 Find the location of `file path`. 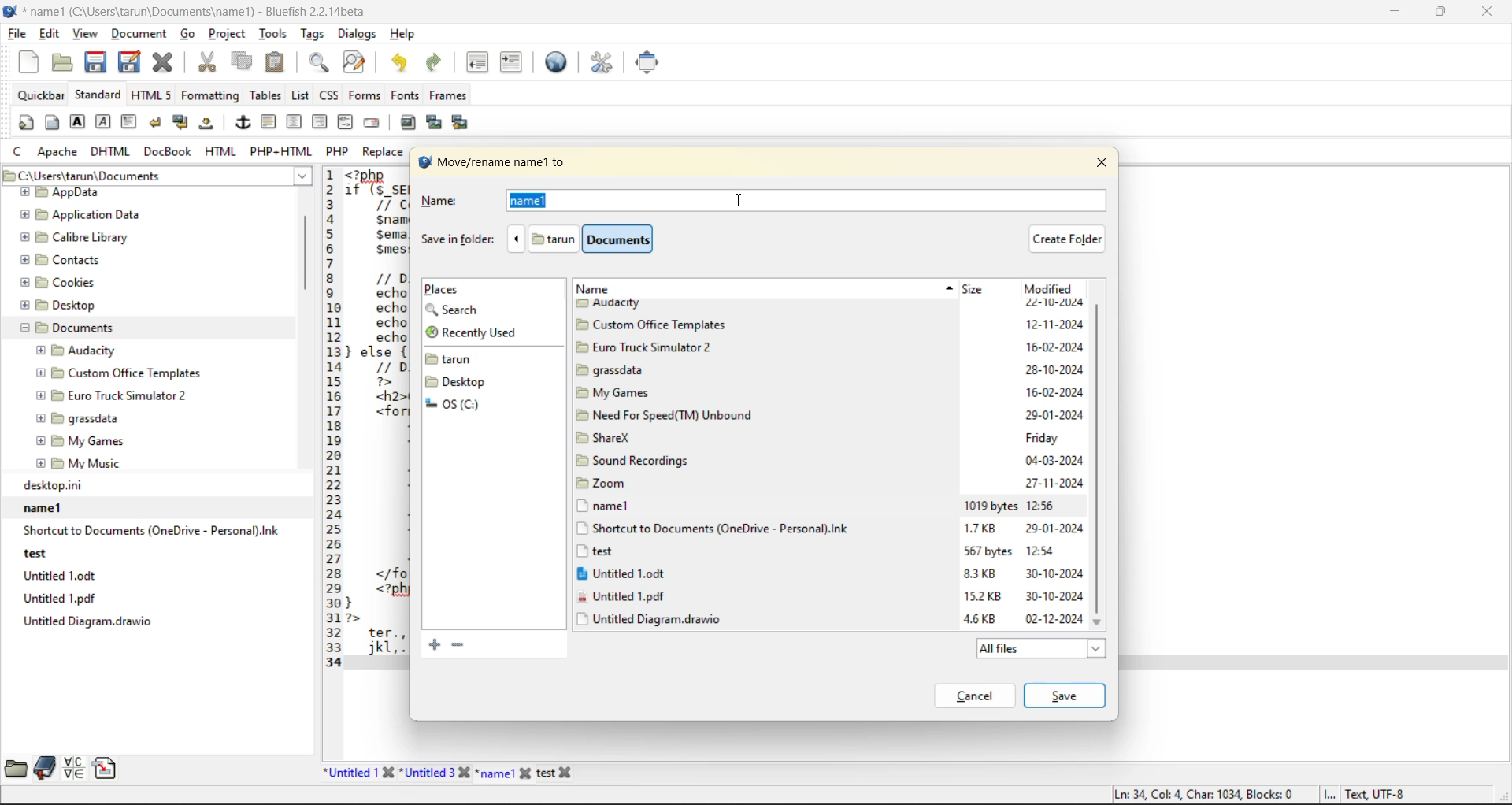

file path is located at coordinates (154, 176).